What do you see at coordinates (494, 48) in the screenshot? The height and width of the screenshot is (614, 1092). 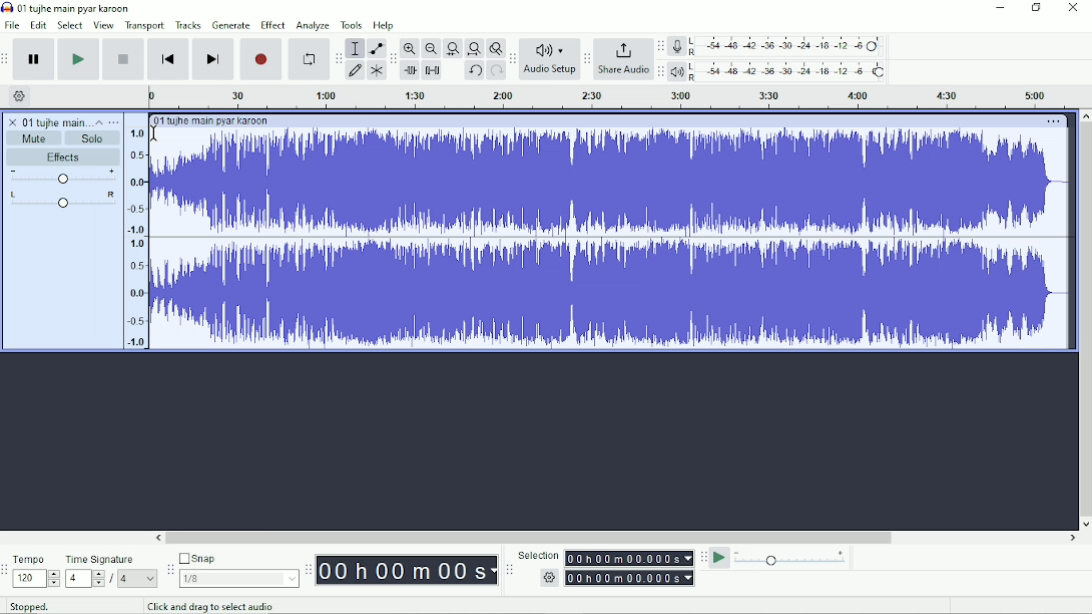 I see `Zoom toggle` at bounding box center [494, 48].